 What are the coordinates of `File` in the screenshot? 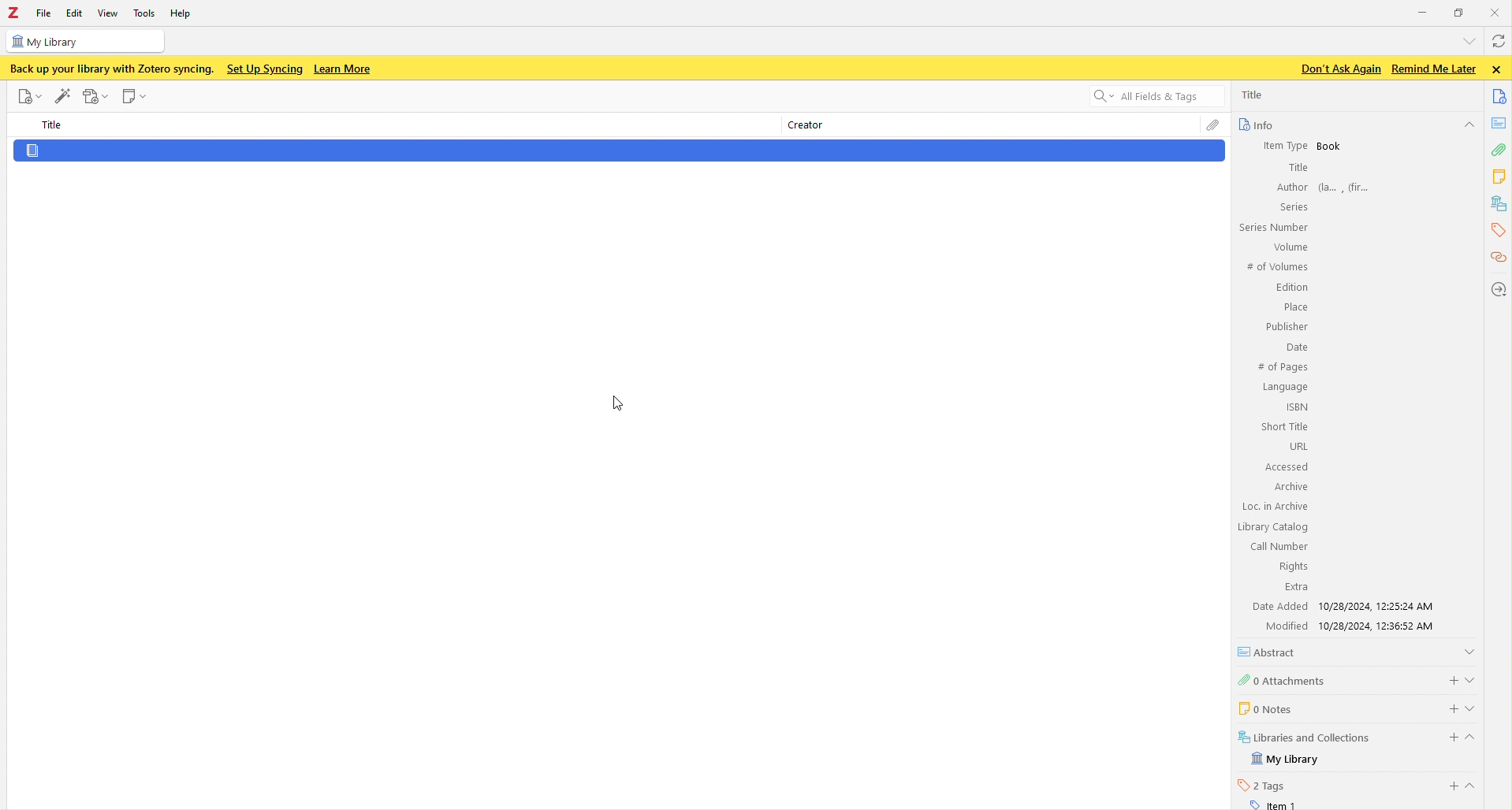 It's located at (28, 96).